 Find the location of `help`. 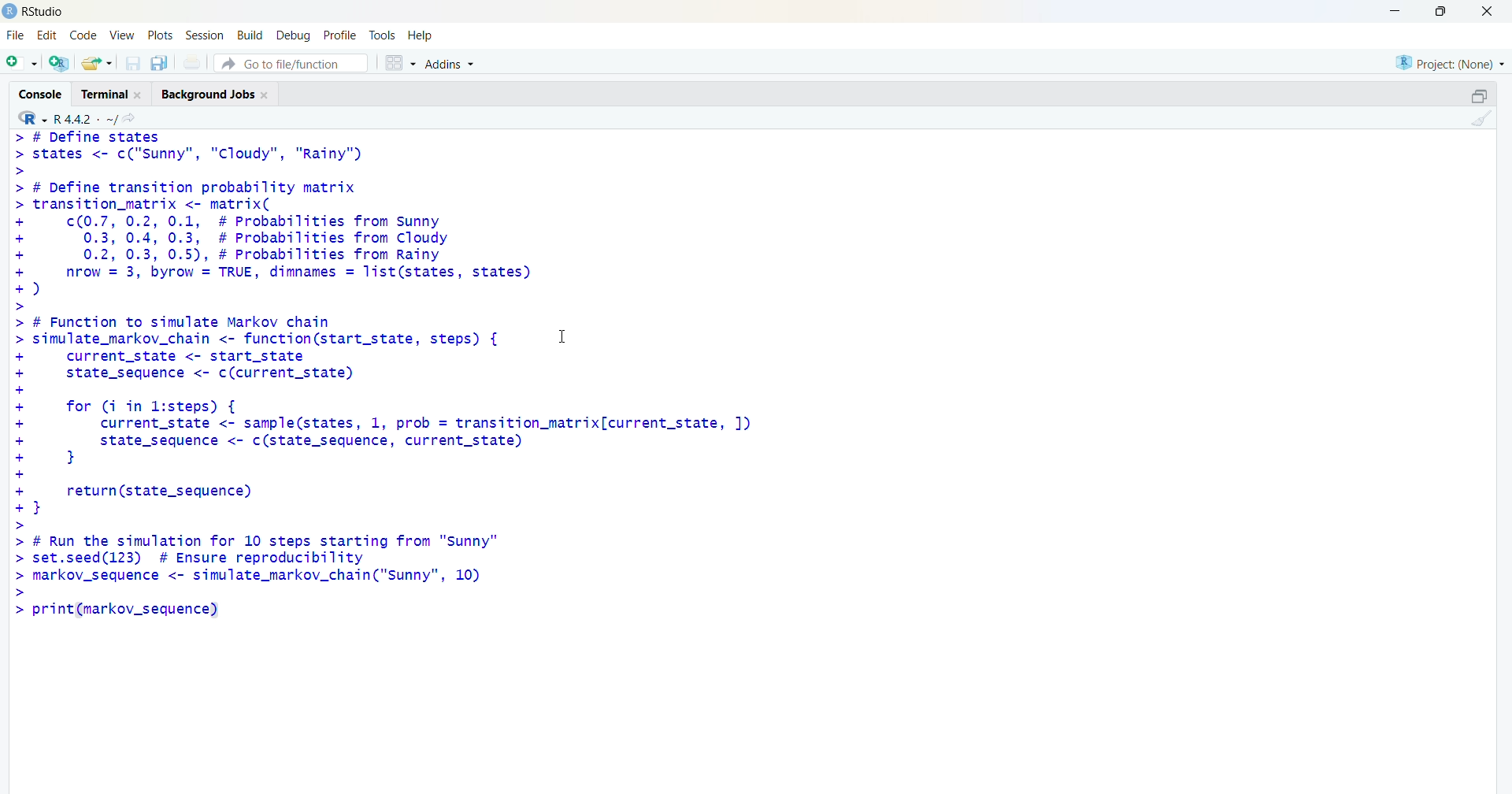

help is located at coordinates (422, 35).